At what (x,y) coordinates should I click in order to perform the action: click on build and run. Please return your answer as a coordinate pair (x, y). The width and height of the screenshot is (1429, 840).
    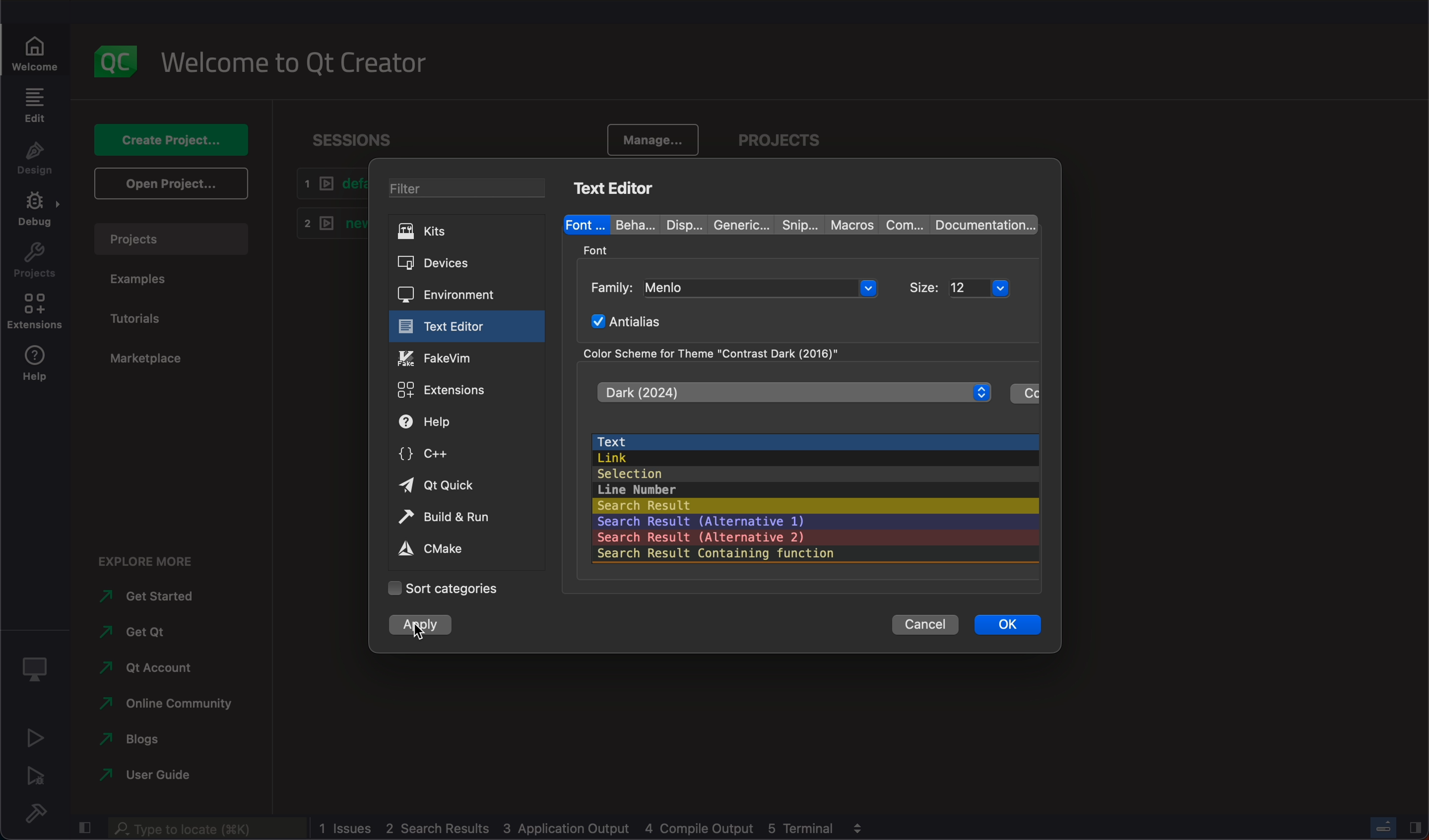
    Looking at the image, I should click on (466, 516).